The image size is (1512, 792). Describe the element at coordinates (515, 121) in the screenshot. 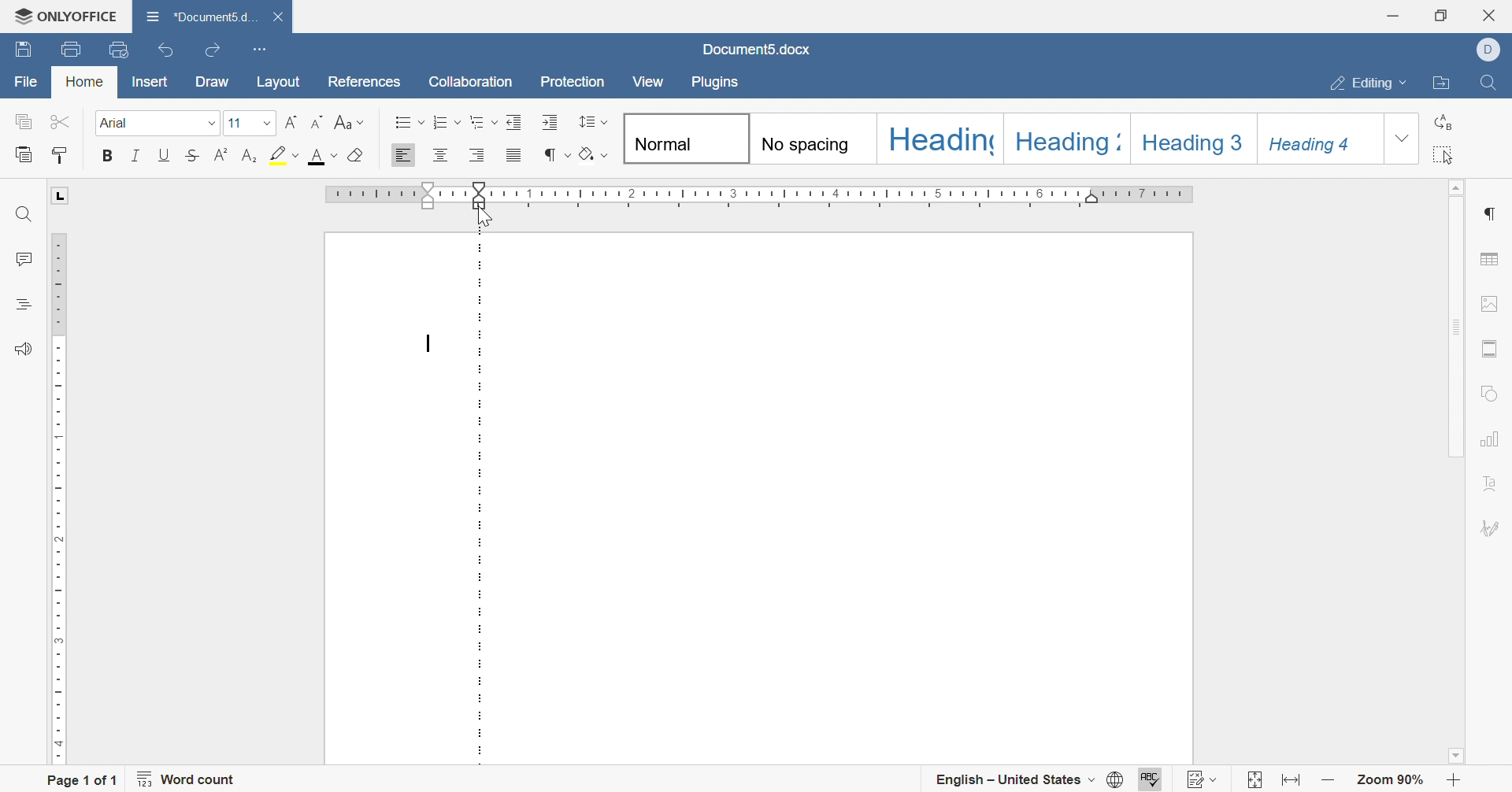

I see `decrease indent` at that location.